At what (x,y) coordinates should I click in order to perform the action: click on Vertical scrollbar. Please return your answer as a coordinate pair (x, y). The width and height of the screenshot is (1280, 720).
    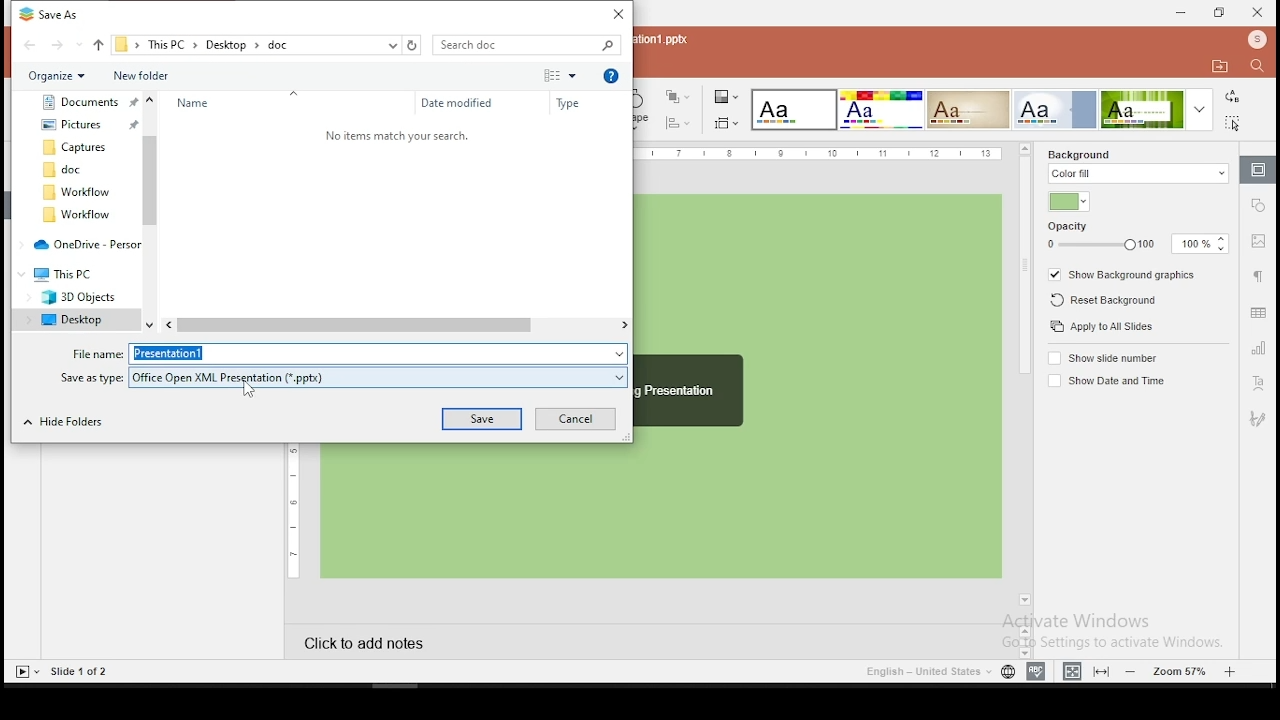
    Looking at the image, I should click on (151, 211).